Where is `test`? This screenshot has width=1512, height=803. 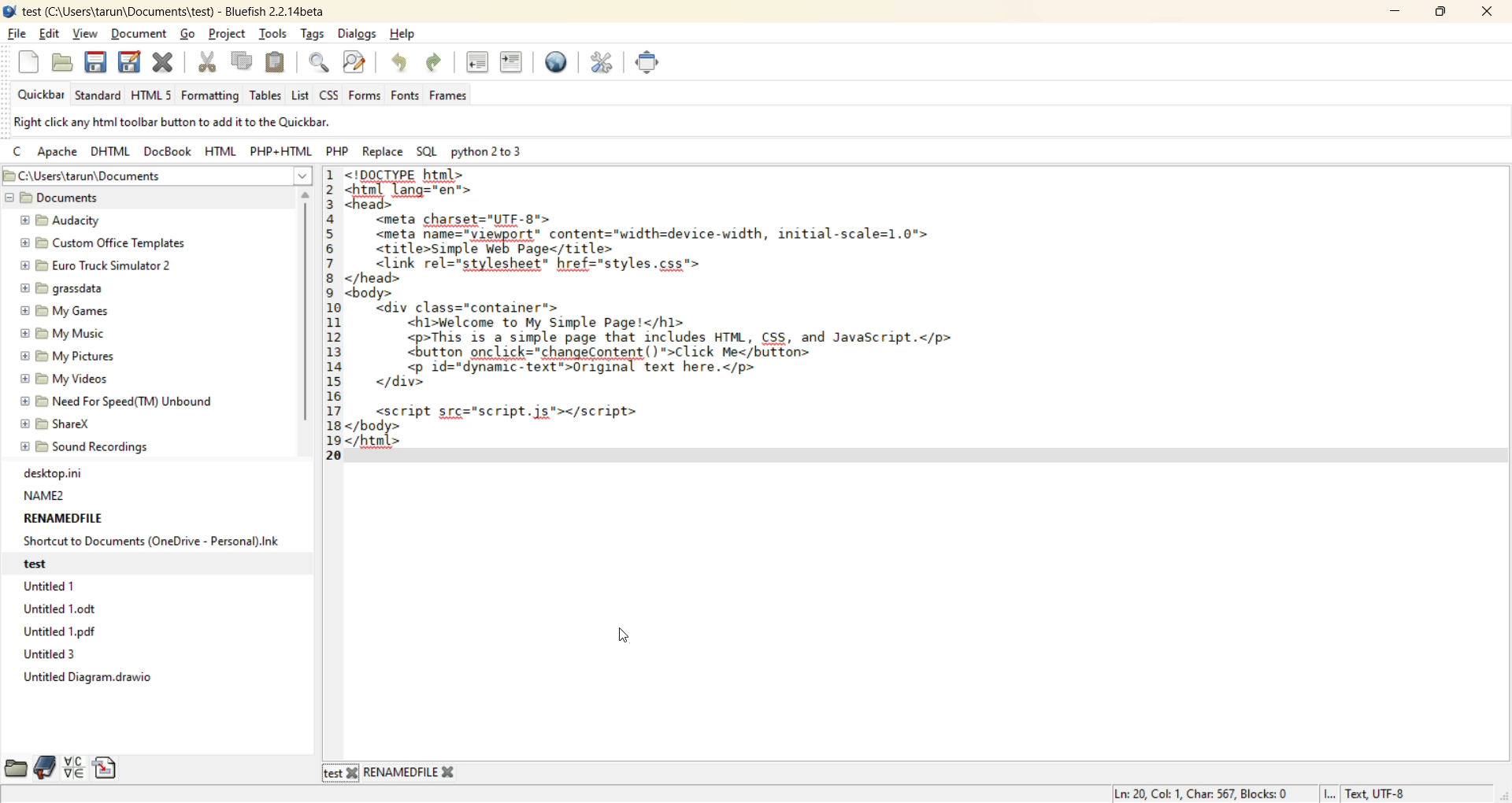
test is located at coordinates (35, 565).